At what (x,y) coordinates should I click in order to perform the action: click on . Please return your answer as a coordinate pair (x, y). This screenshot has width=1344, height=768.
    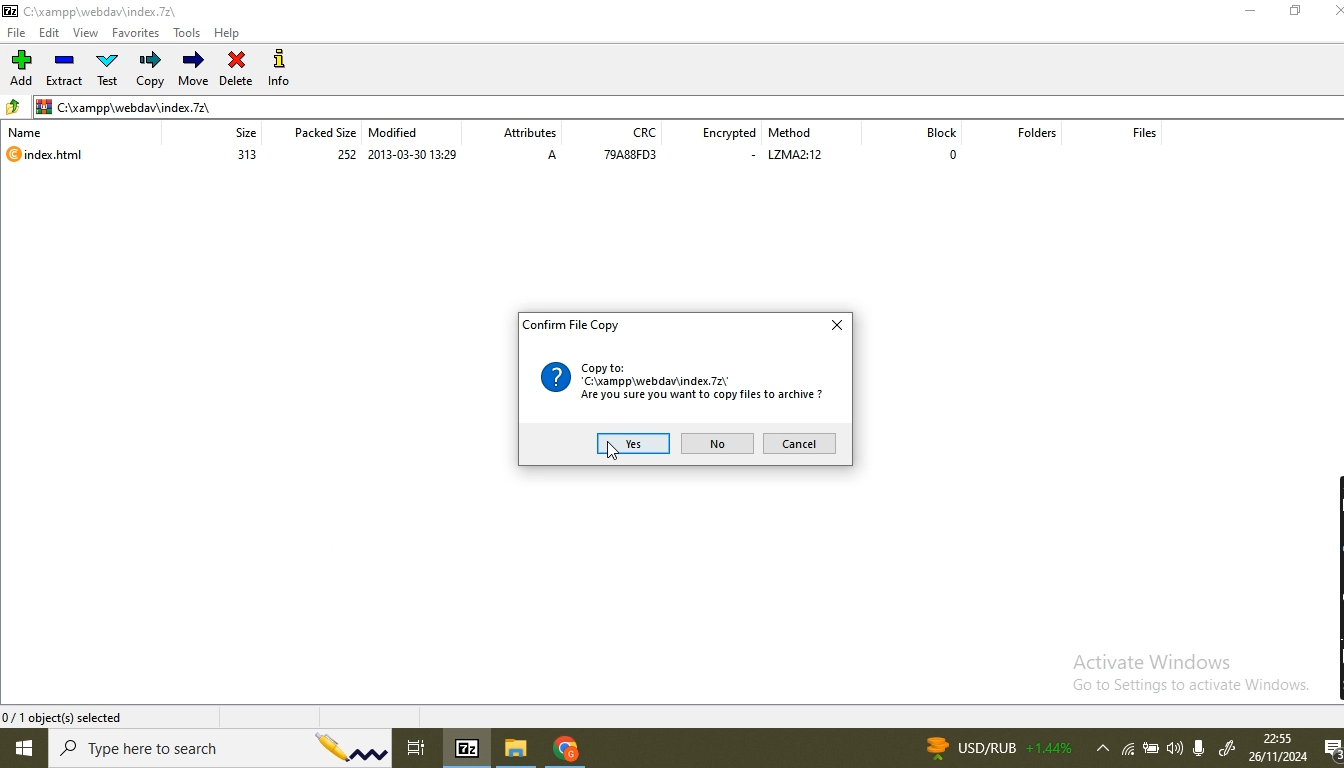
    Looking at the image, I should click on (703, 119).